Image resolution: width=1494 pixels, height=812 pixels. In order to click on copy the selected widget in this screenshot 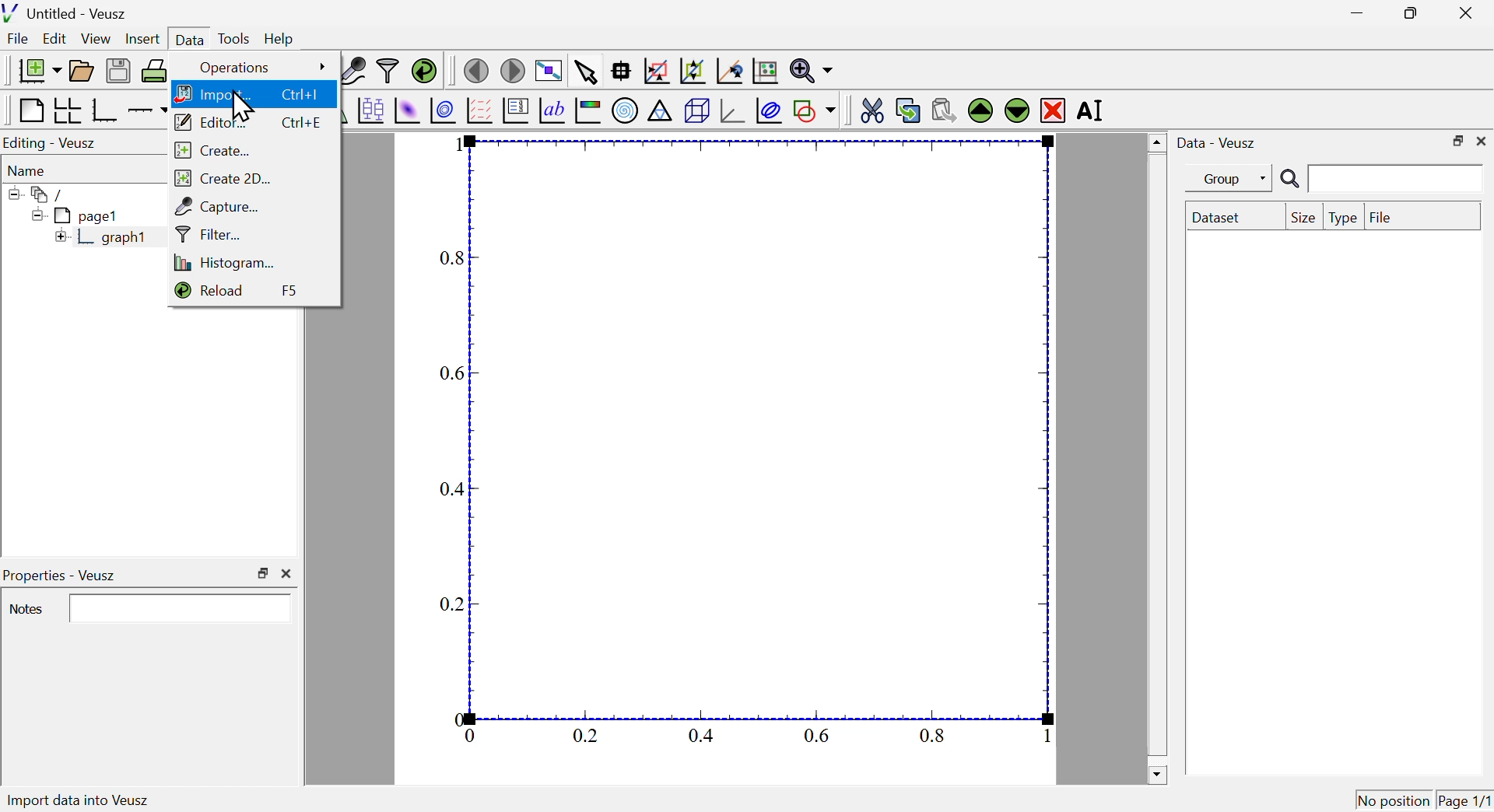, I will do `click(908, 109)`.